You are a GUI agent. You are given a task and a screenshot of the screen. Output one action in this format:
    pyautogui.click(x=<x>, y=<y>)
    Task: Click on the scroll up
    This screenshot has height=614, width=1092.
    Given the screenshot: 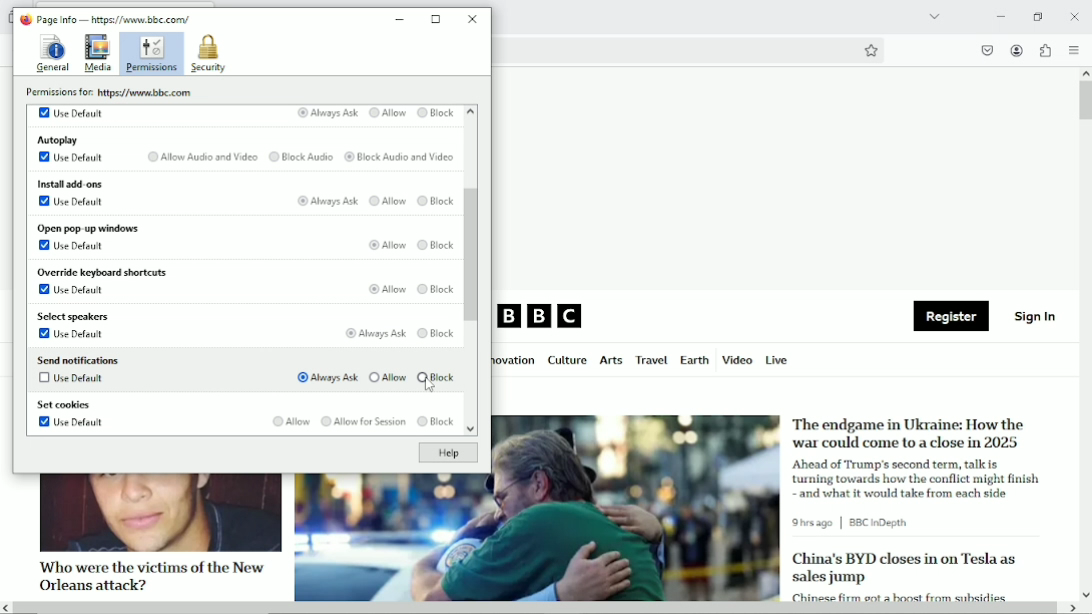 What is the action you would take?
    pyautogui.click(x=1085, y=73)
    